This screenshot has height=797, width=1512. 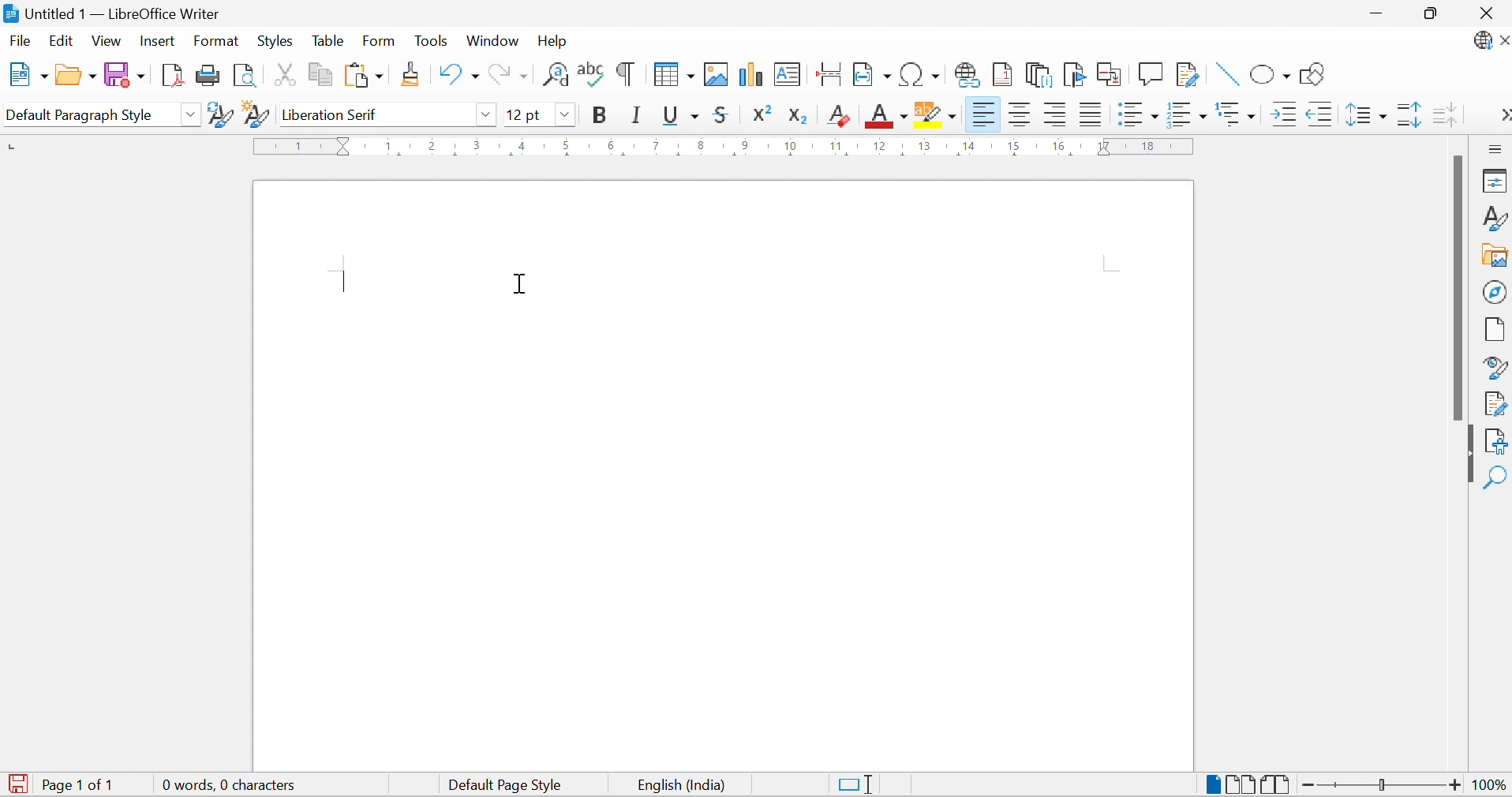 What do you see at coordinates (1307, 784) in the screenshot?
I see `Zoom Out` at bounding box center [1307, 784].